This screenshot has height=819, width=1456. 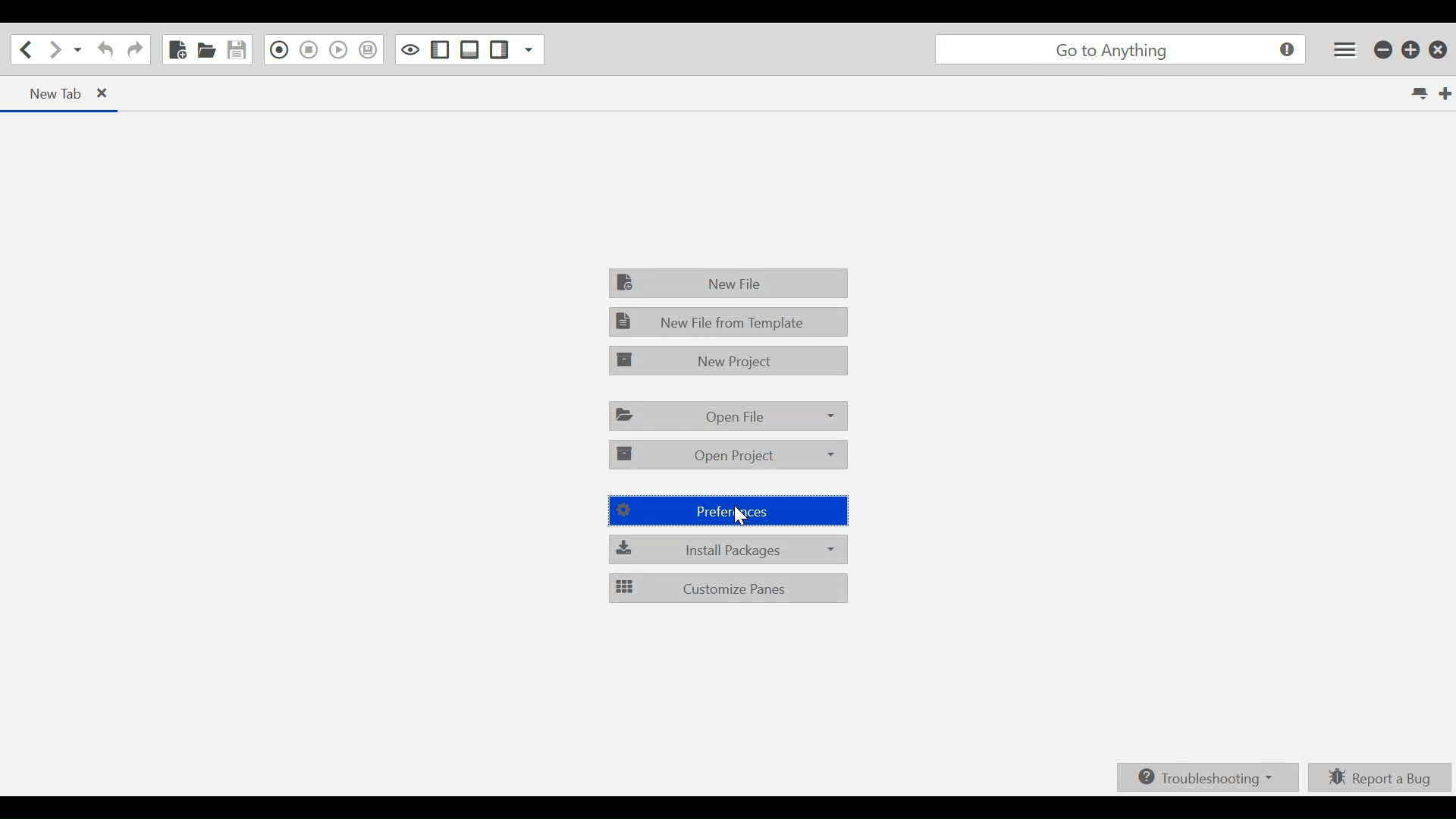 What do you see at coordinates (440, 50) in the screenshot?
I see `Show/Hide left Pane` at bounding box center [440, 50].